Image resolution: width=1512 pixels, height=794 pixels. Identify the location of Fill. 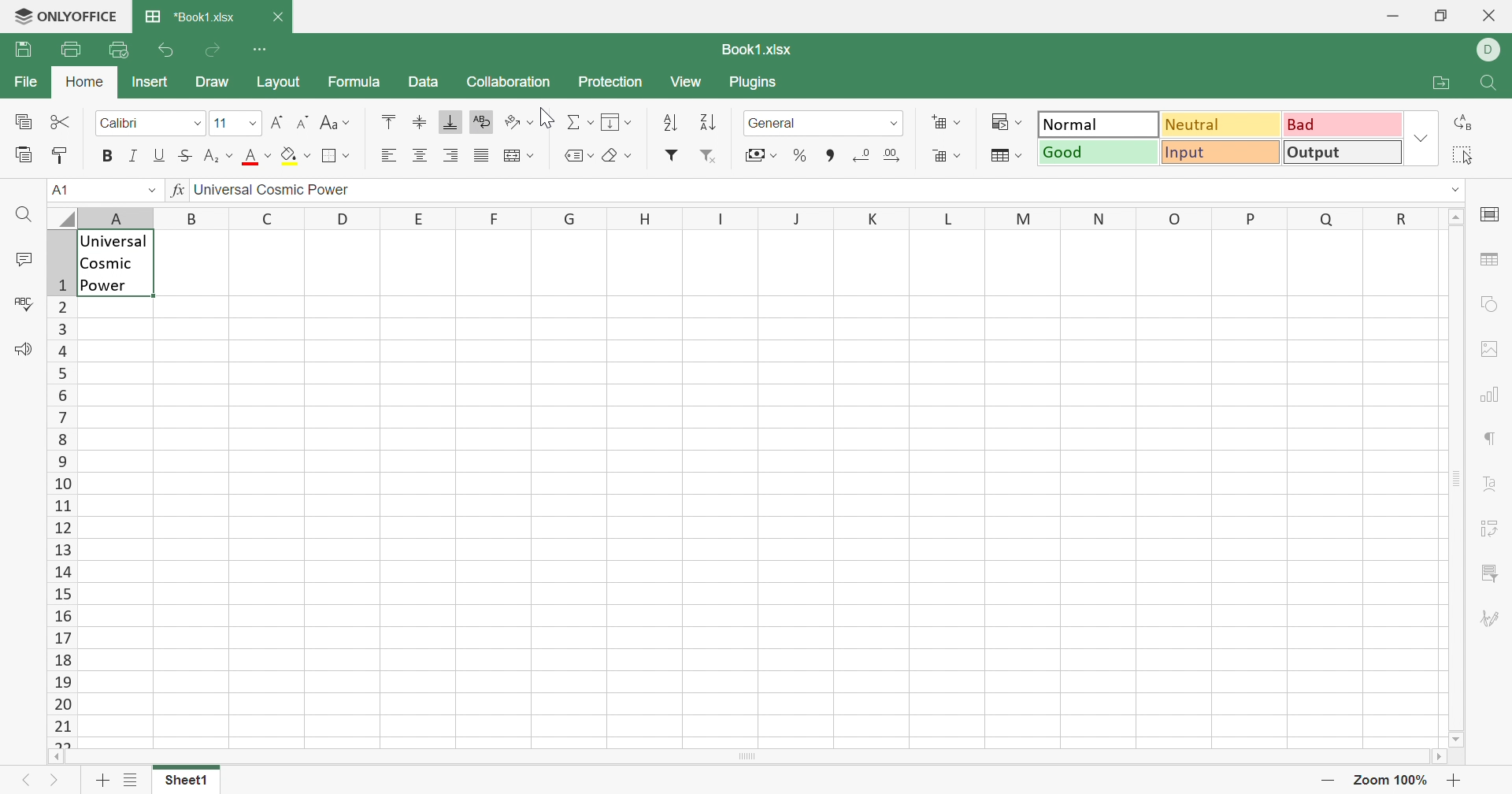
(617, 123).